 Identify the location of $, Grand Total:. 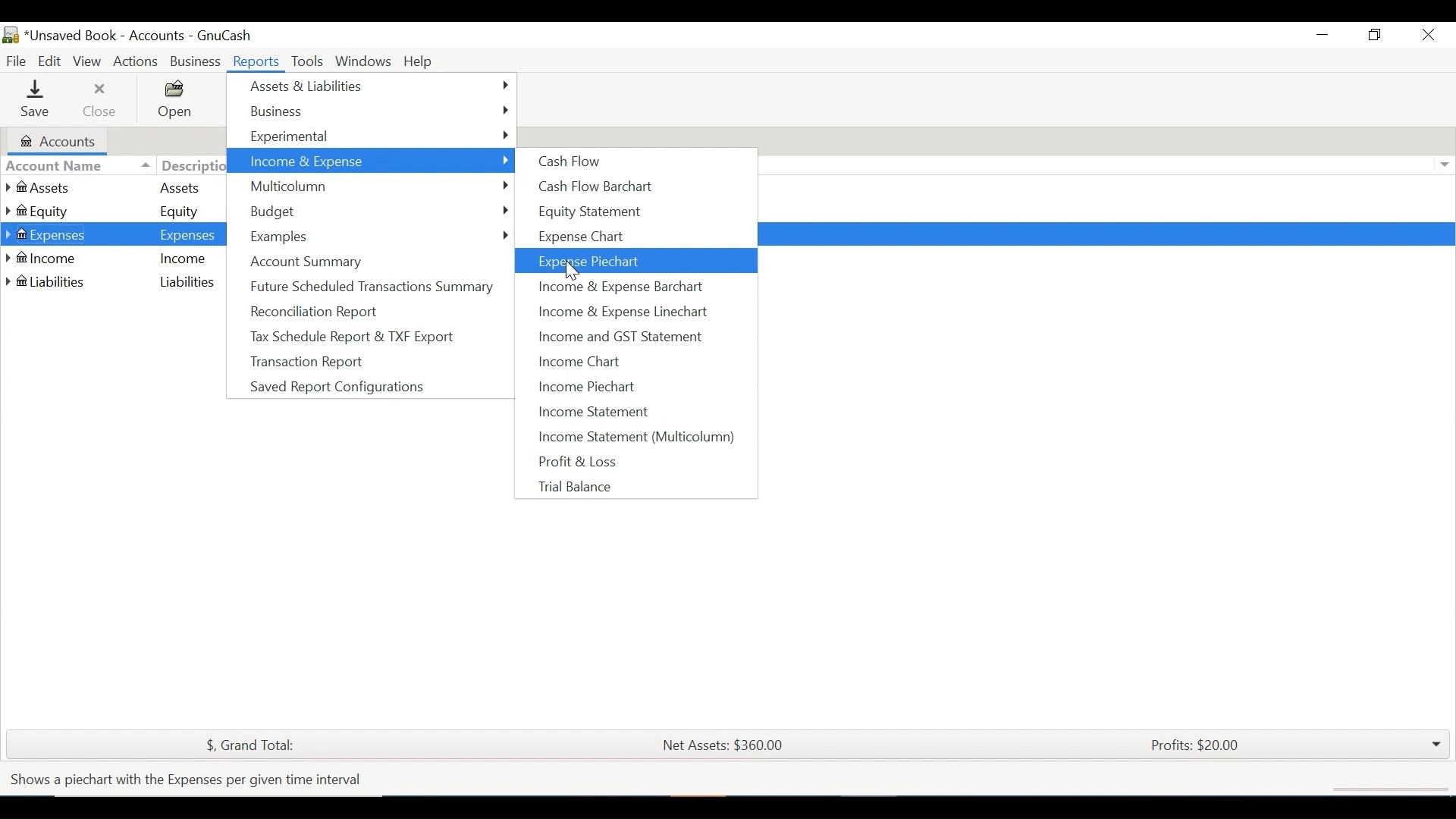
(246, 745).